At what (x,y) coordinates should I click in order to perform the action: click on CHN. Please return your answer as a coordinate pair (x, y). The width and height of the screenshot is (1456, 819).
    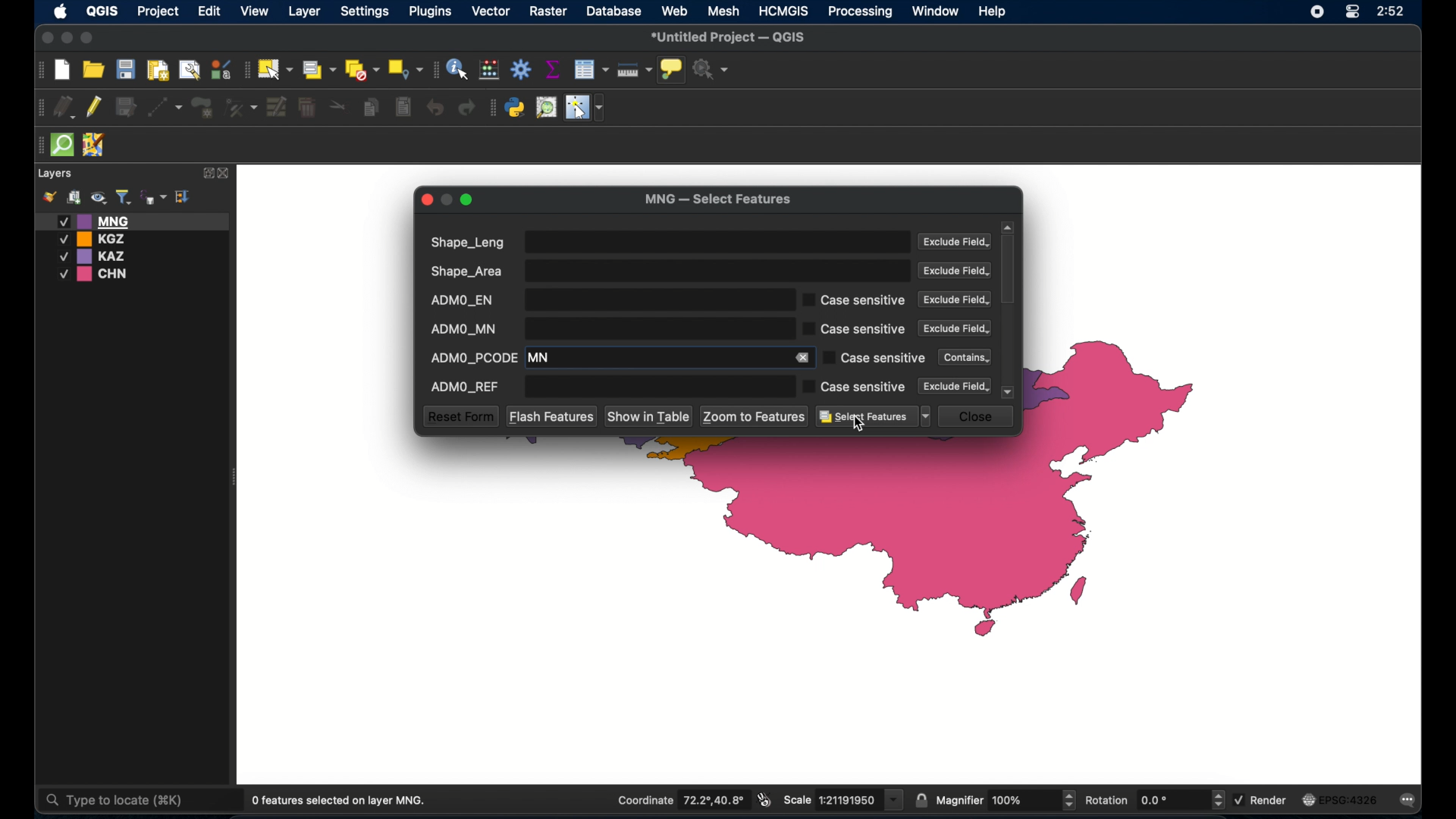
    Looking at the image, I should click on (96, 275).